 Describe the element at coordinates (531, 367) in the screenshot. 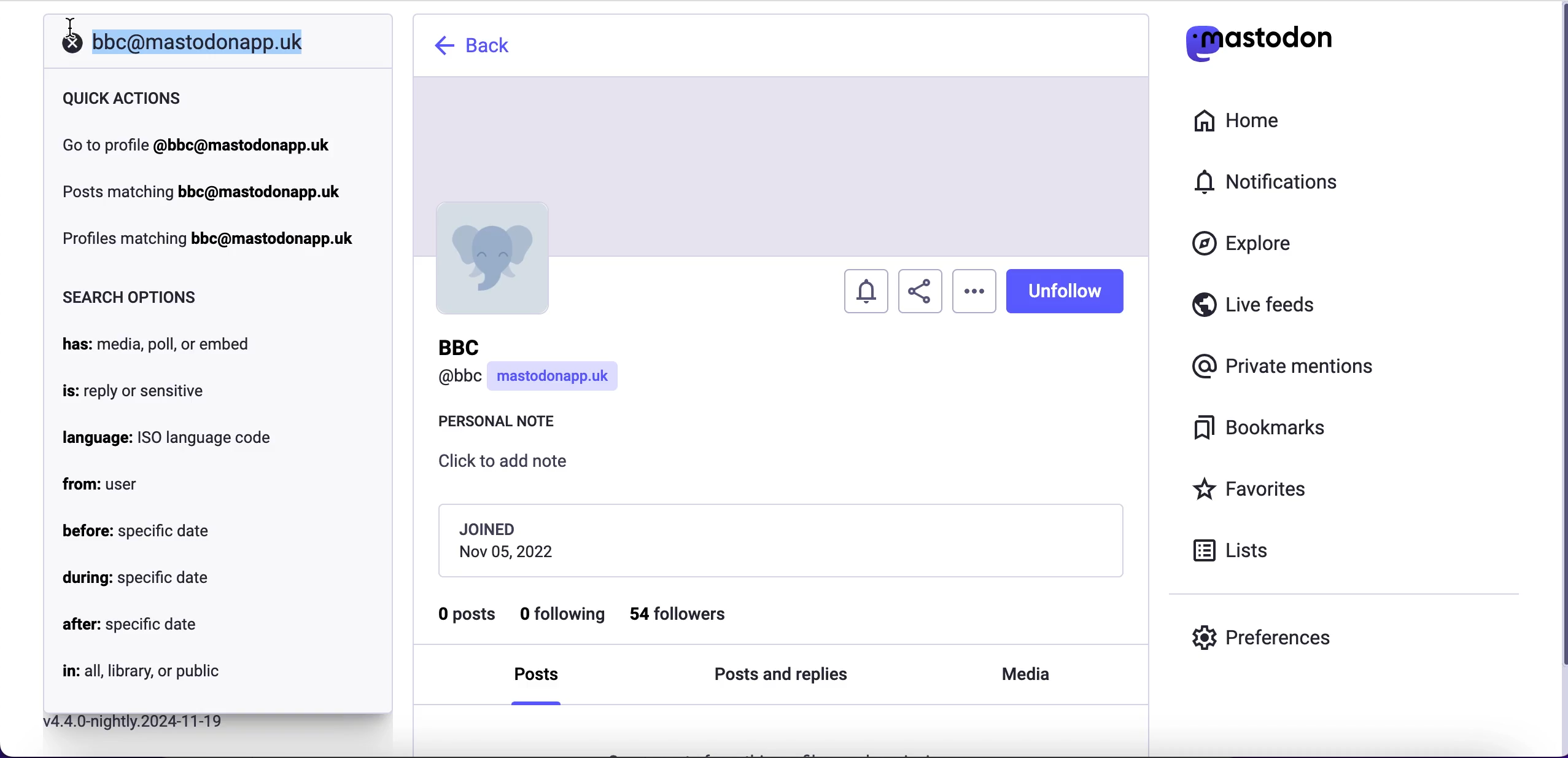

I see `user name` at that location.